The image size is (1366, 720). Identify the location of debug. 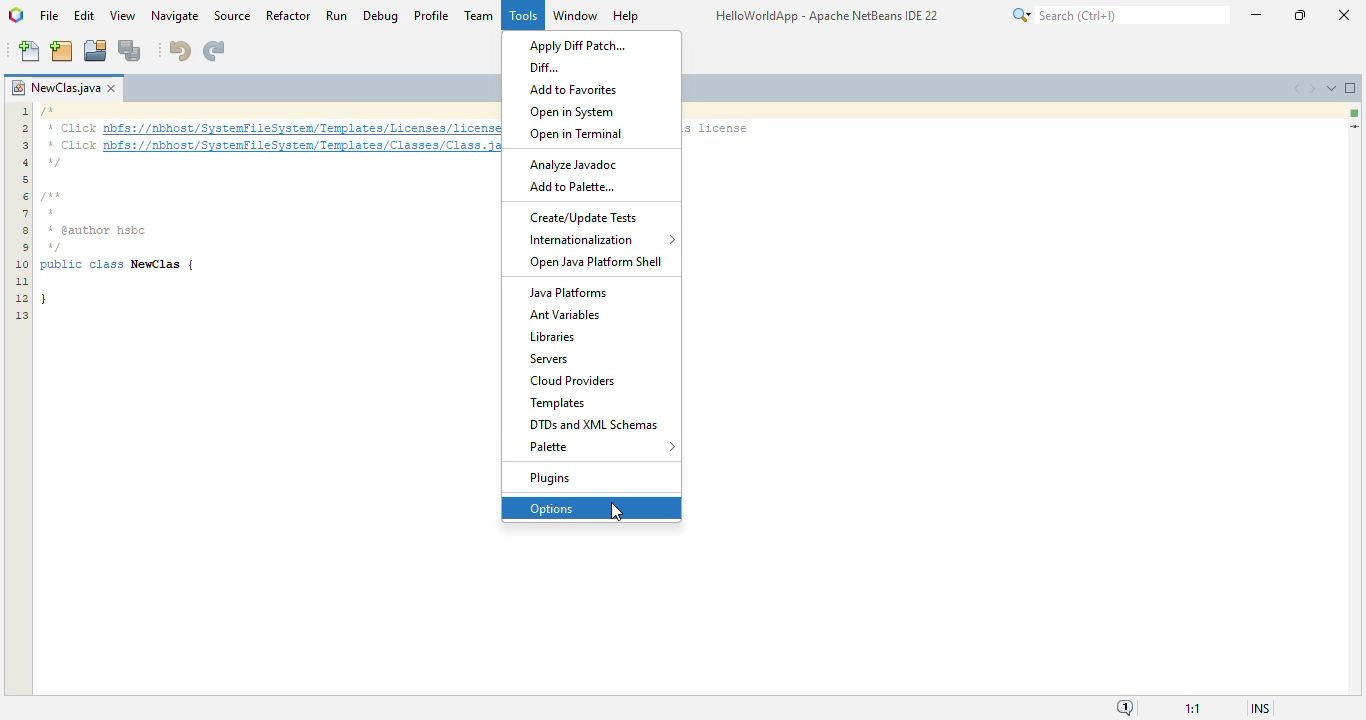
(382, 15).